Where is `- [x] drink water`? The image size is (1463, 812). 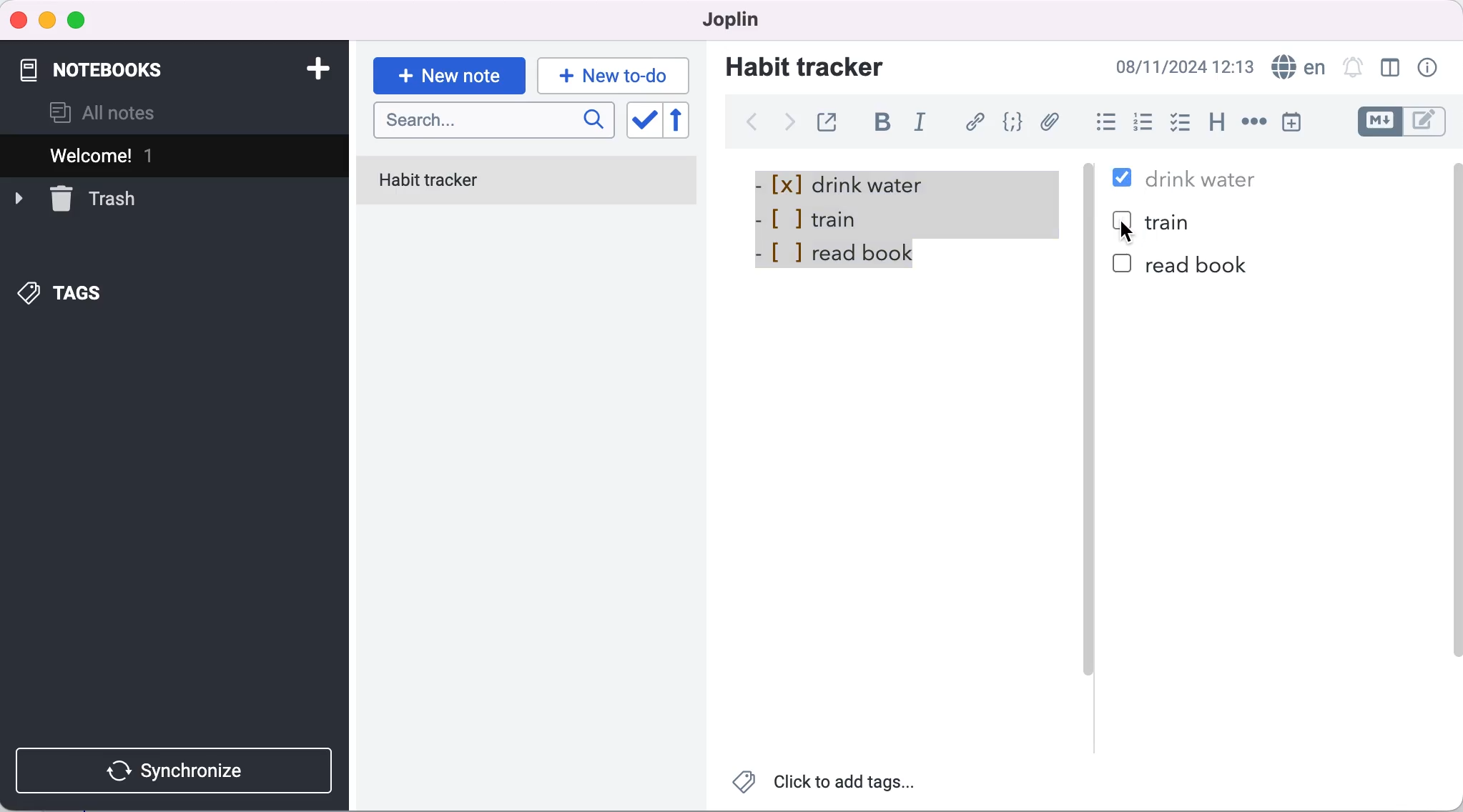 - [x] drink water is located at coordinates (856, 182).